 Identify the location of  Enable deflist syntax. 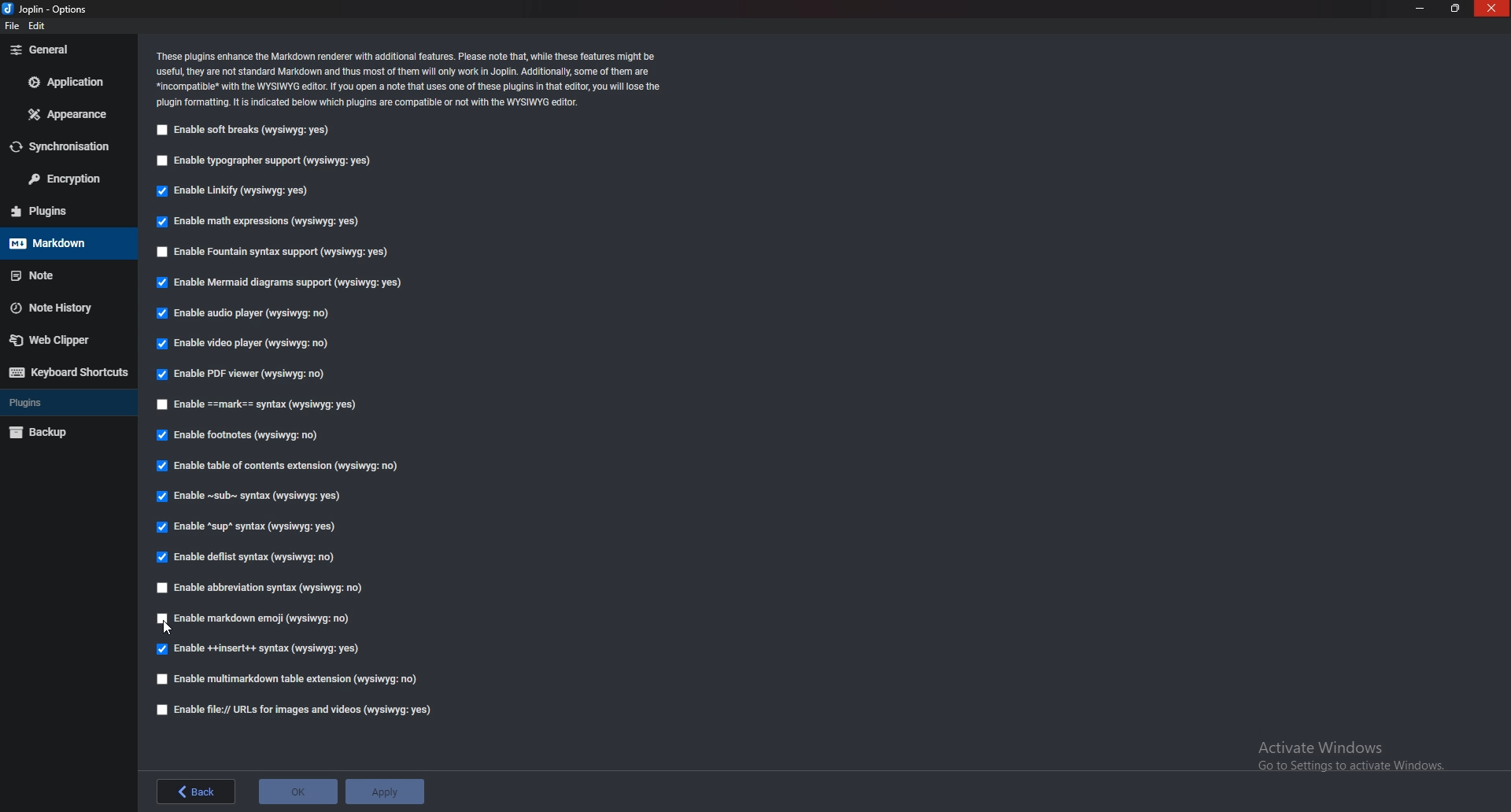
(249, 558).